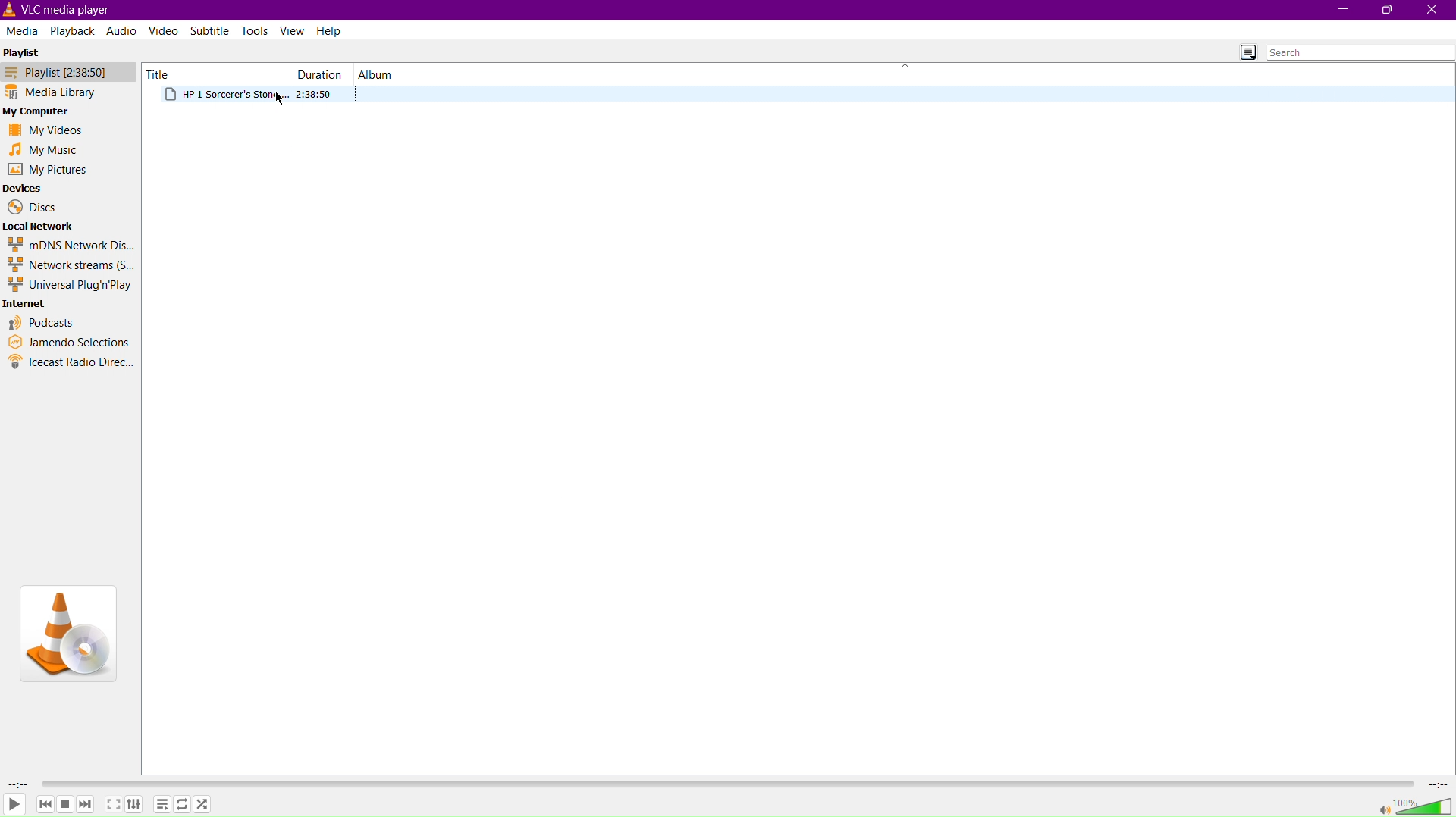 The image size is (1456, 817). What do you see at coordinates (70, 343) in the screenshot?
I see `Jamendo Selections` at bounding box center [70, 343].